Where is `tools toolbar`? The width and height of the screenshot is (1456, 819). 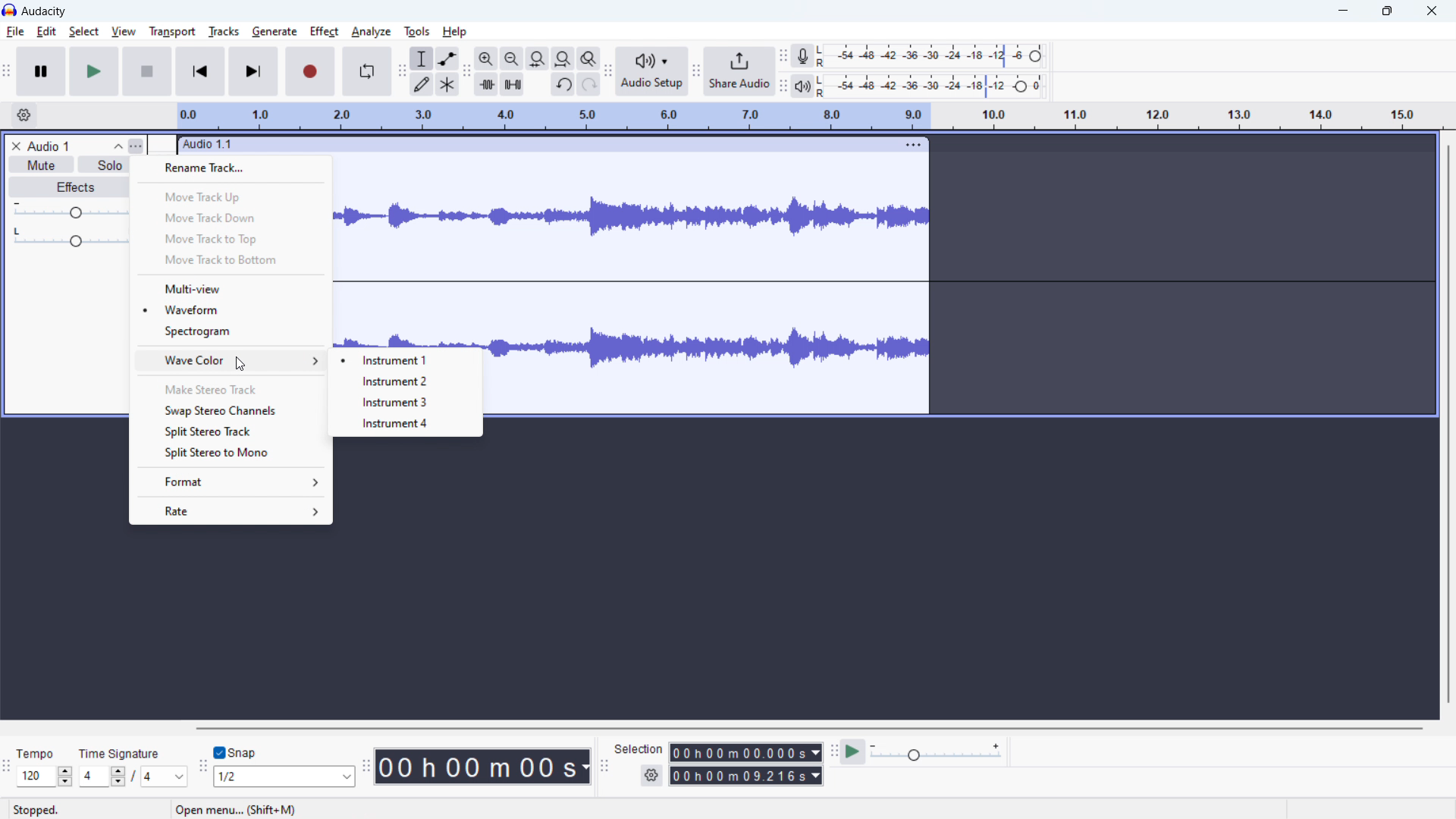
tools toolbar is located at coordinates (402, 71).